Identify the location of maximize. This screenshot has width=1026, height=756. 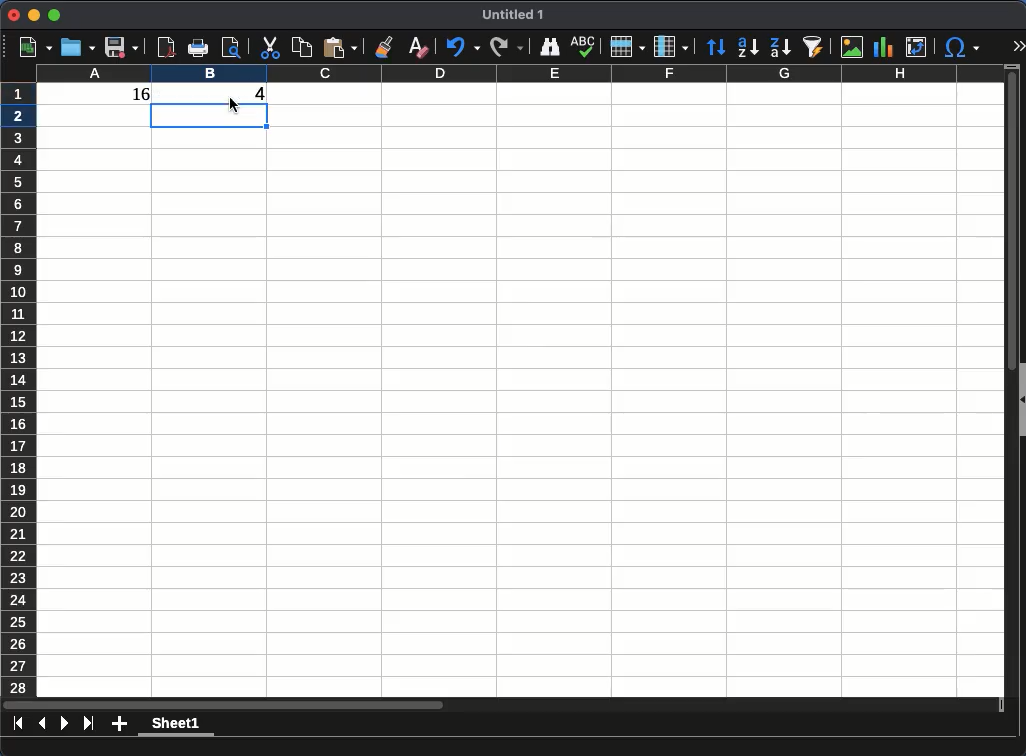
(56, 14).